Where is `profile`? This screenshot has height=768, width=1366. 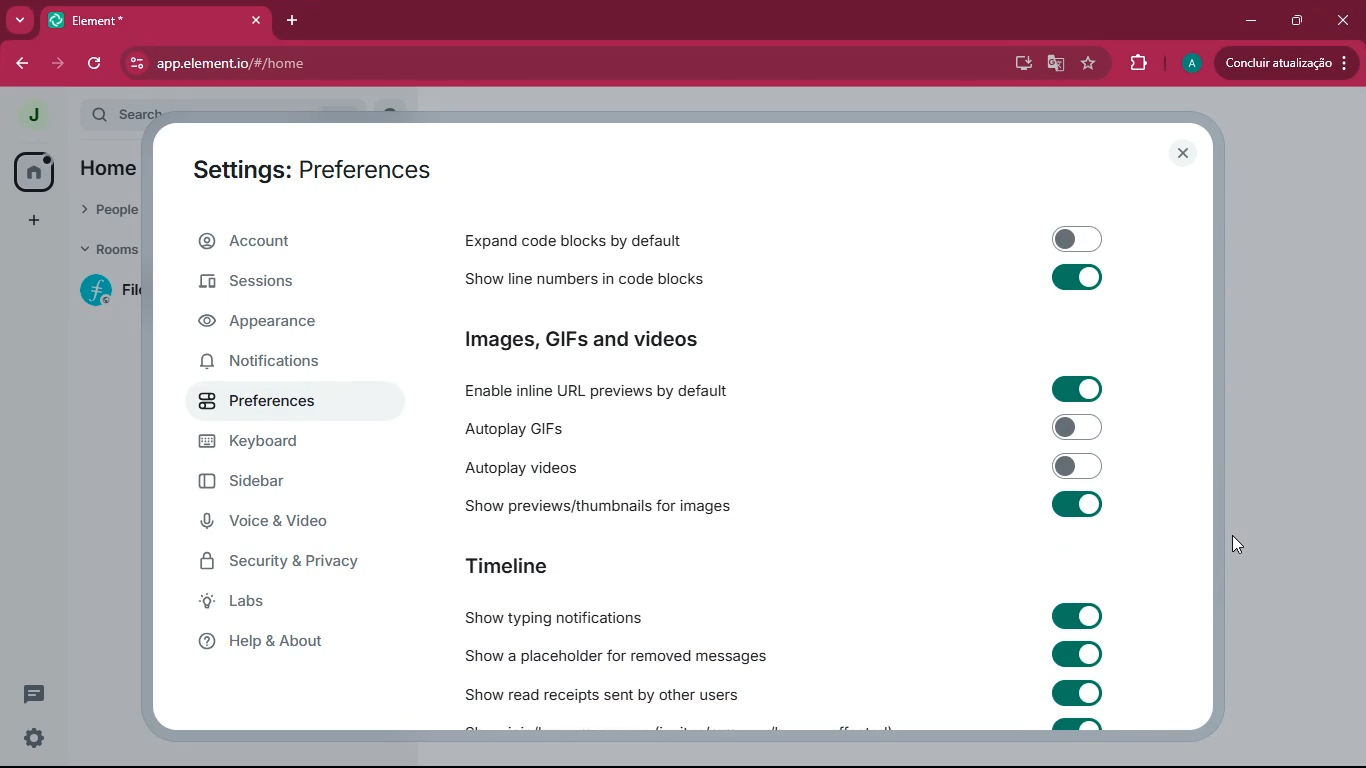
profile is located at coordinates (34, 115).